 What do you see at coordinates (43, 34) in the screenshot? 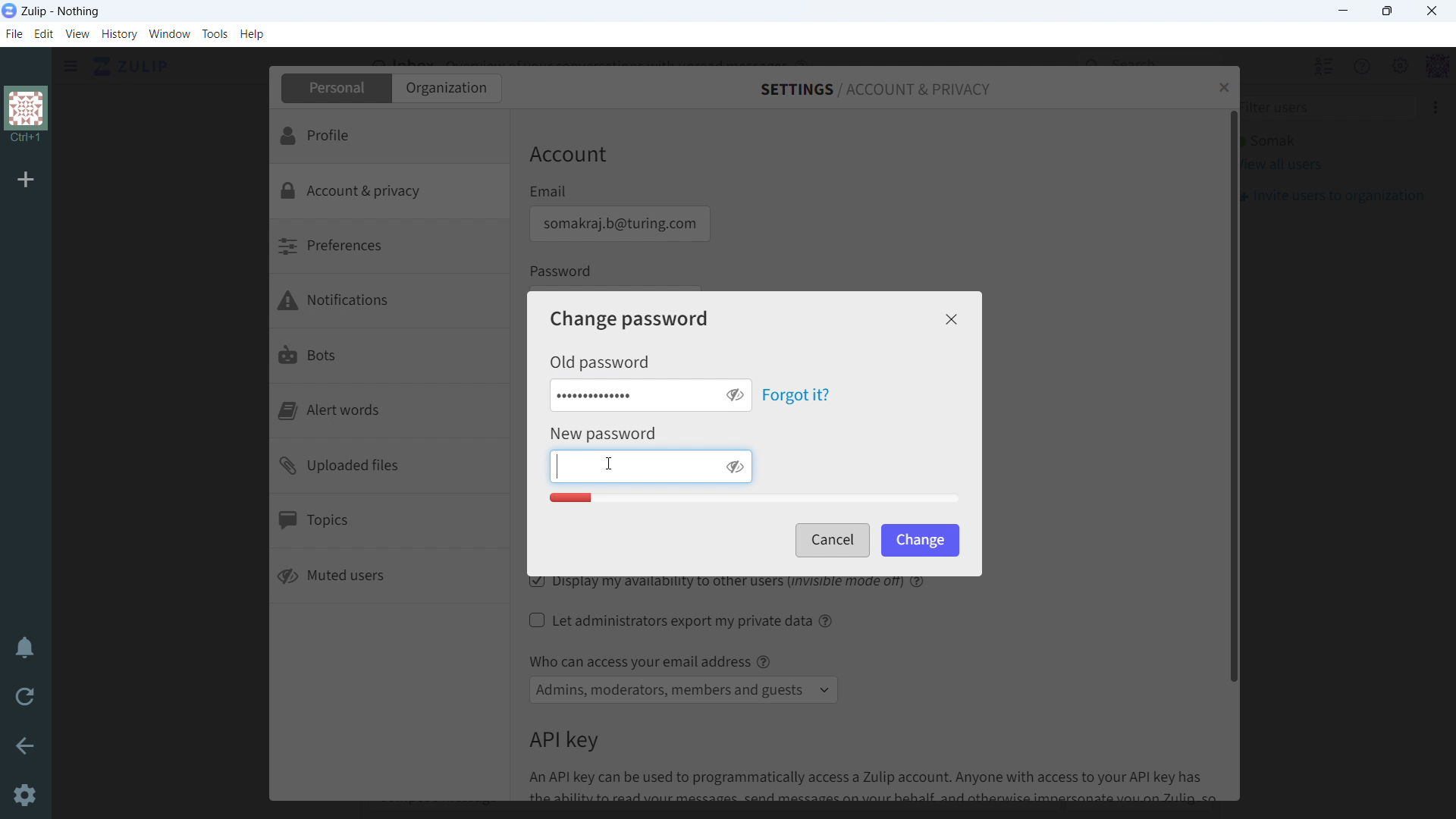
I see `edit` at bounding box center [43, 34].